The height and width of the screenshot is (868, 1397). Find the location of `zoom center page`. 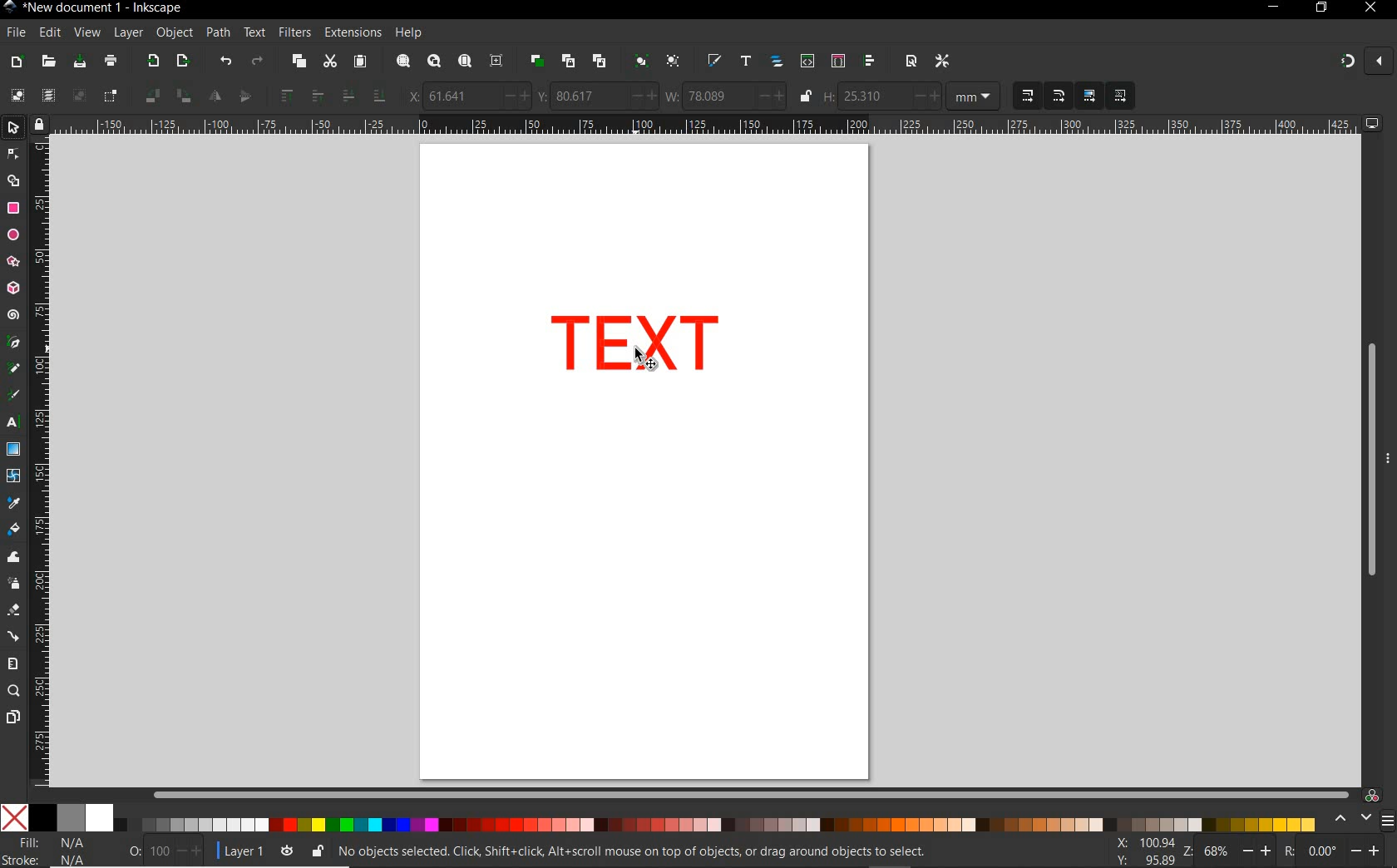

zoom center page is located at coordinates (500, 60).